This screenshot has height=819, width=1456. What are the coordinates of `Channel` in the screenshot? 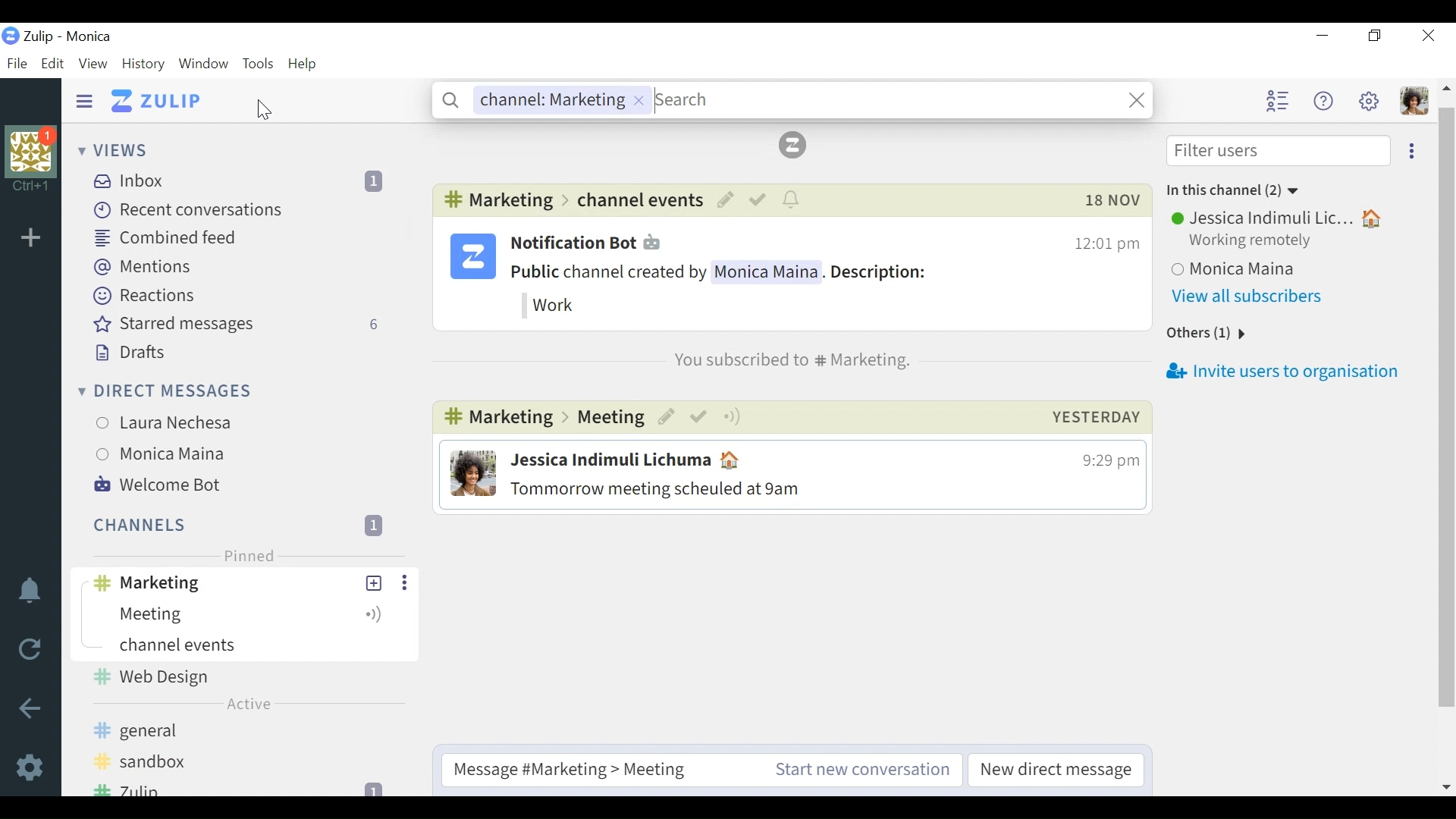 It's located at (240, 525).